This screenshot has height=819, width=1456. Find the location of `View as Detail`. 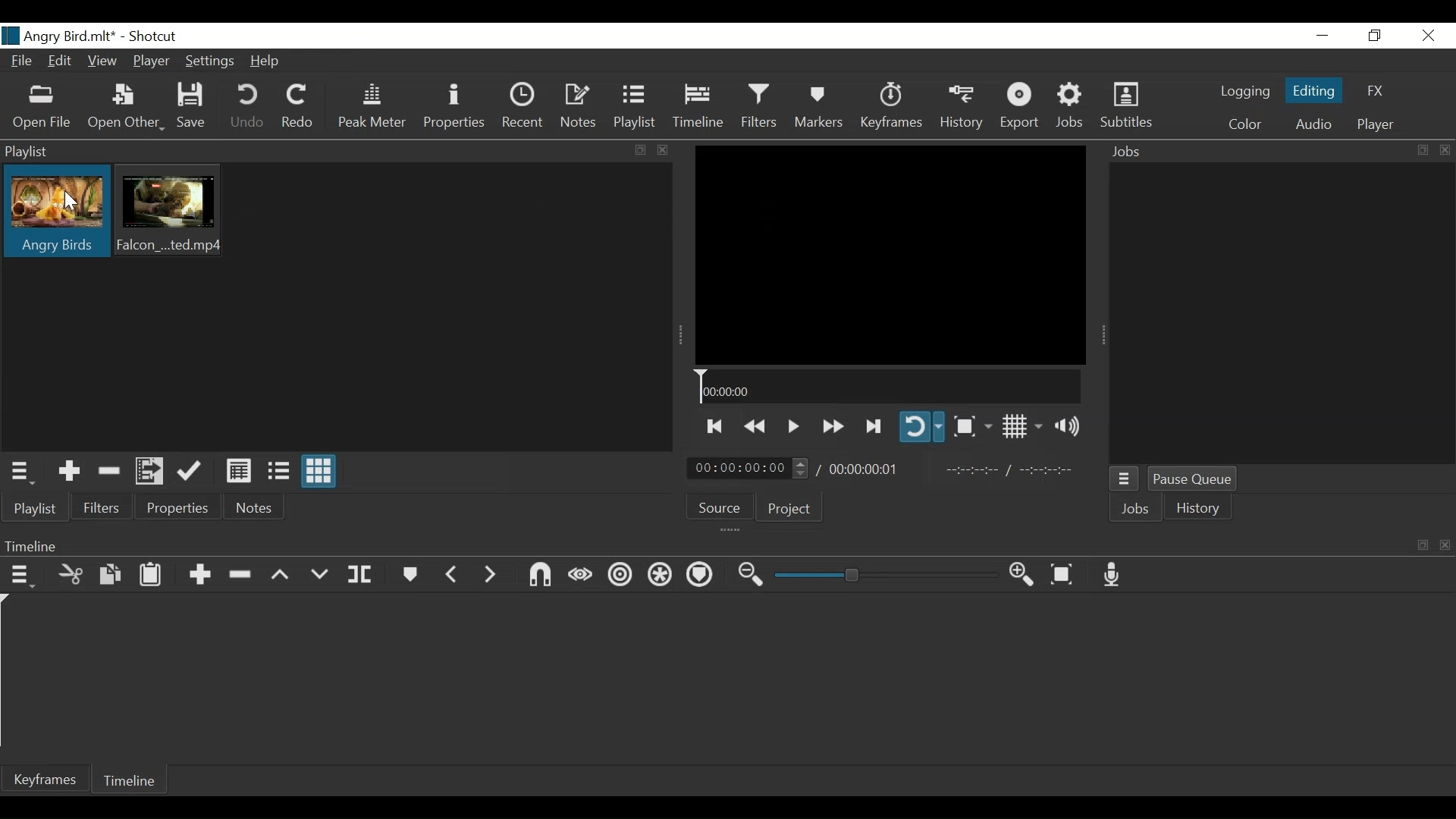

View as Detail is located at coordinates (238, 469).